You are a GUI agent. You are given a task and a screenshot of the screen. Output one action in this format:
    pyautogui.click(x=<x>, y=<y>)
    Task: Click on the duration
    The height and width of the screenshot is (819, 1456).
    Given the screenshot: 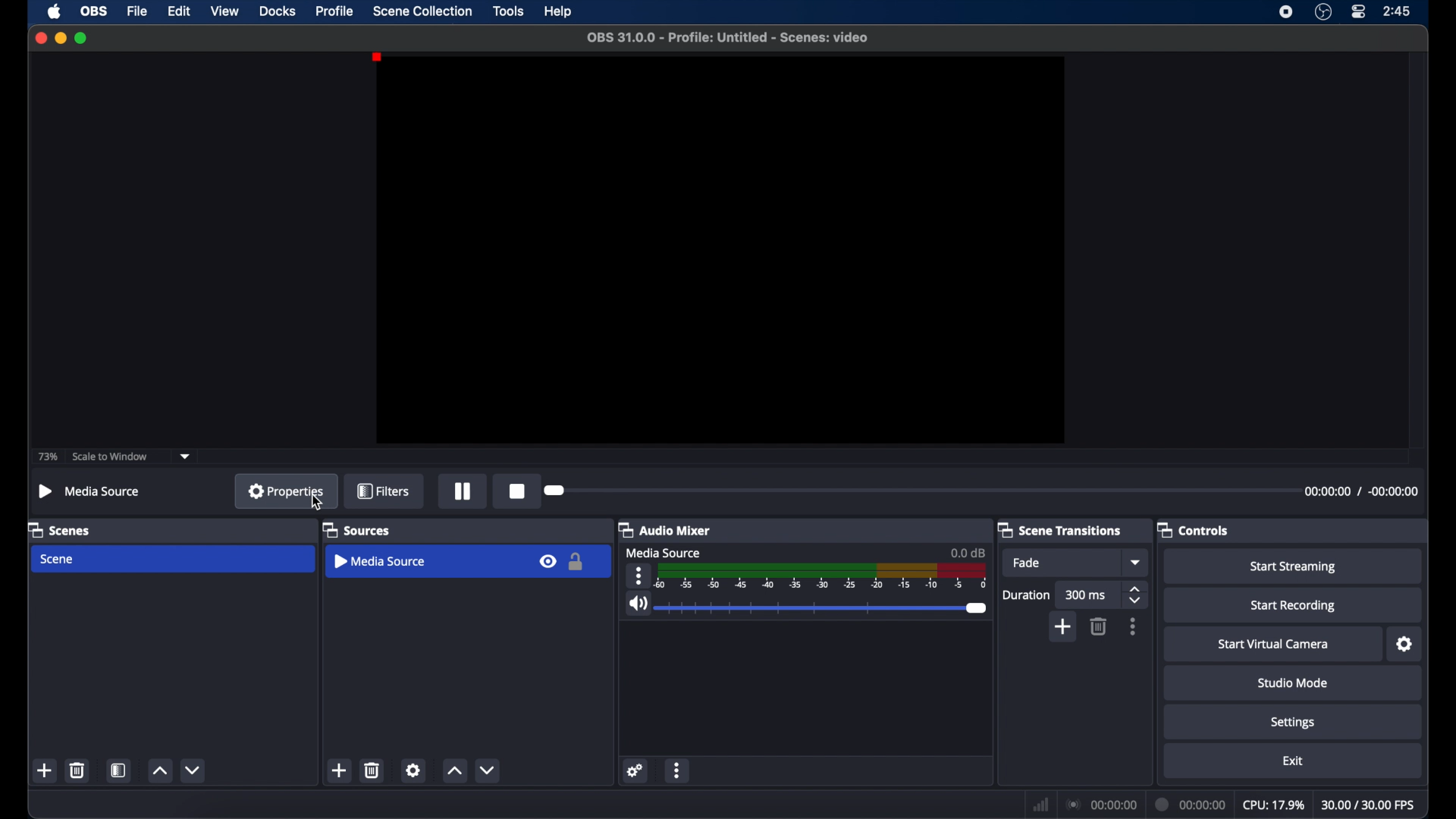 What is the action you would take?
    pyautogui.click(x=1027, y=596)
    